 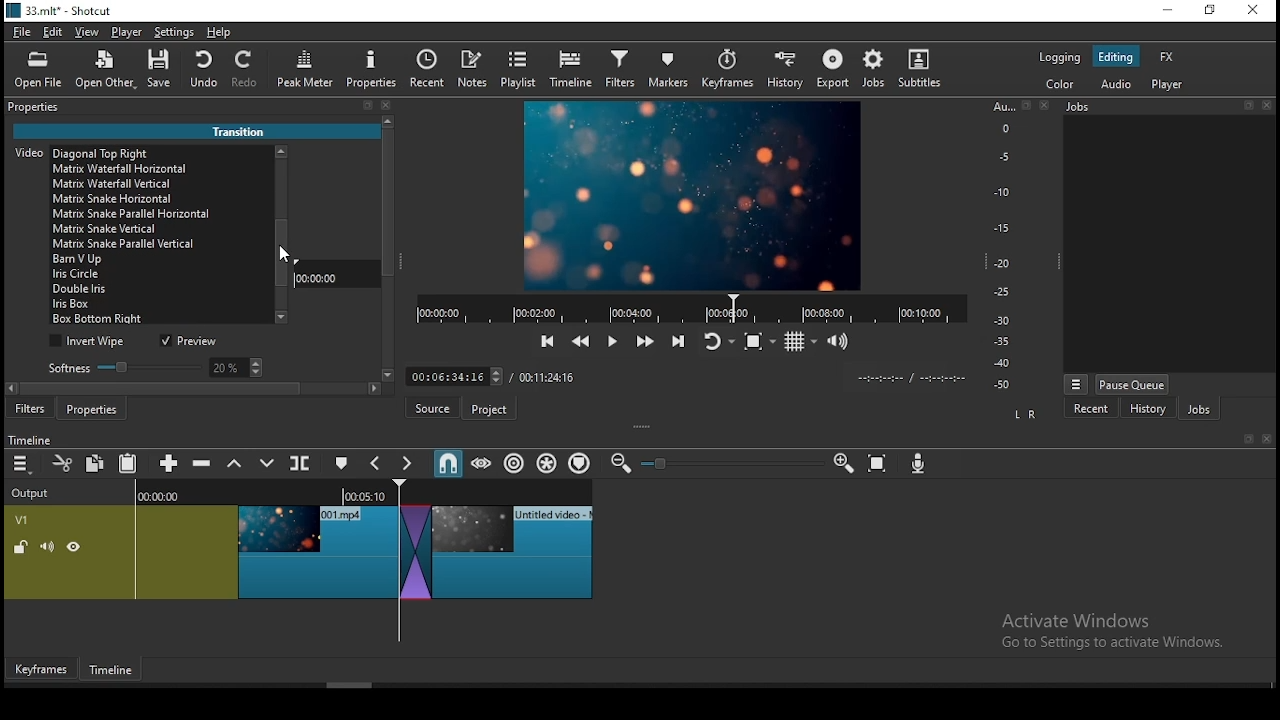 What do you see at coordinates (475, 69) in the screenshot?
I see `notes` at bounding box center [475, 69].